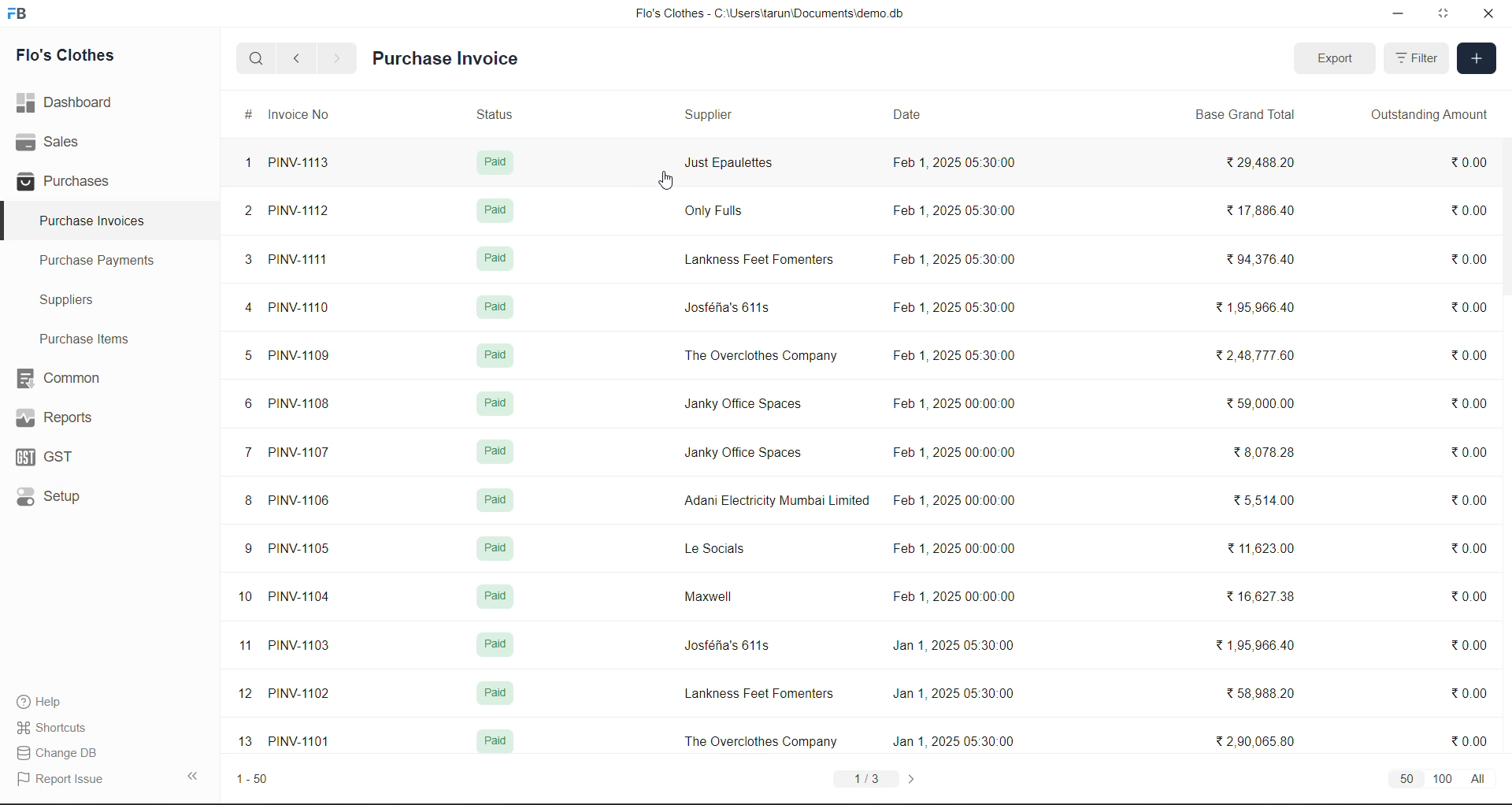  Describe the element at coordinates (50, 139) in the screenshot. I see ` Sales` at that location.